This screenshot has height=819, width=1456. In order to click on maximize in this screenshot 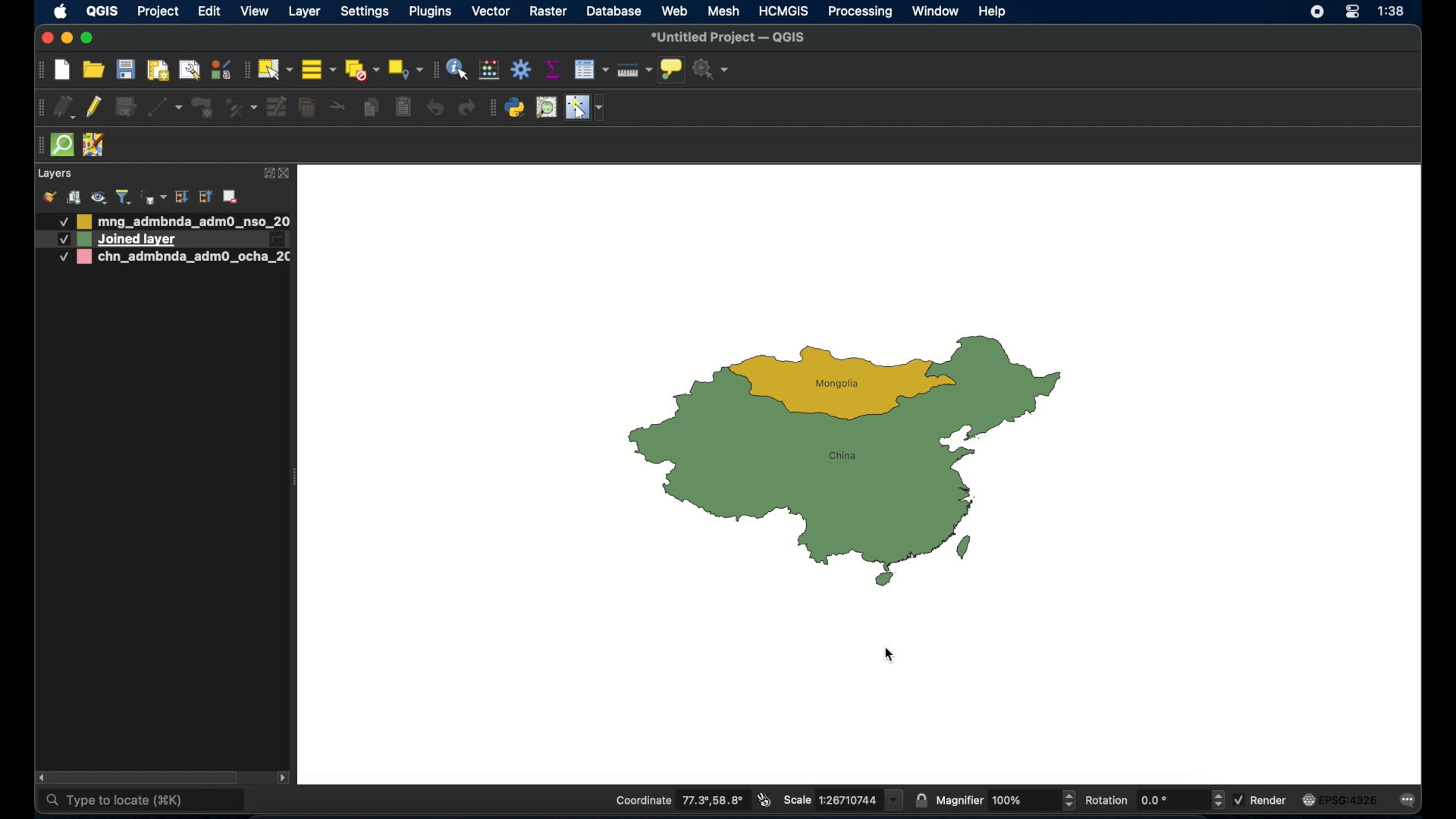, I will do `click(88, 38)`.